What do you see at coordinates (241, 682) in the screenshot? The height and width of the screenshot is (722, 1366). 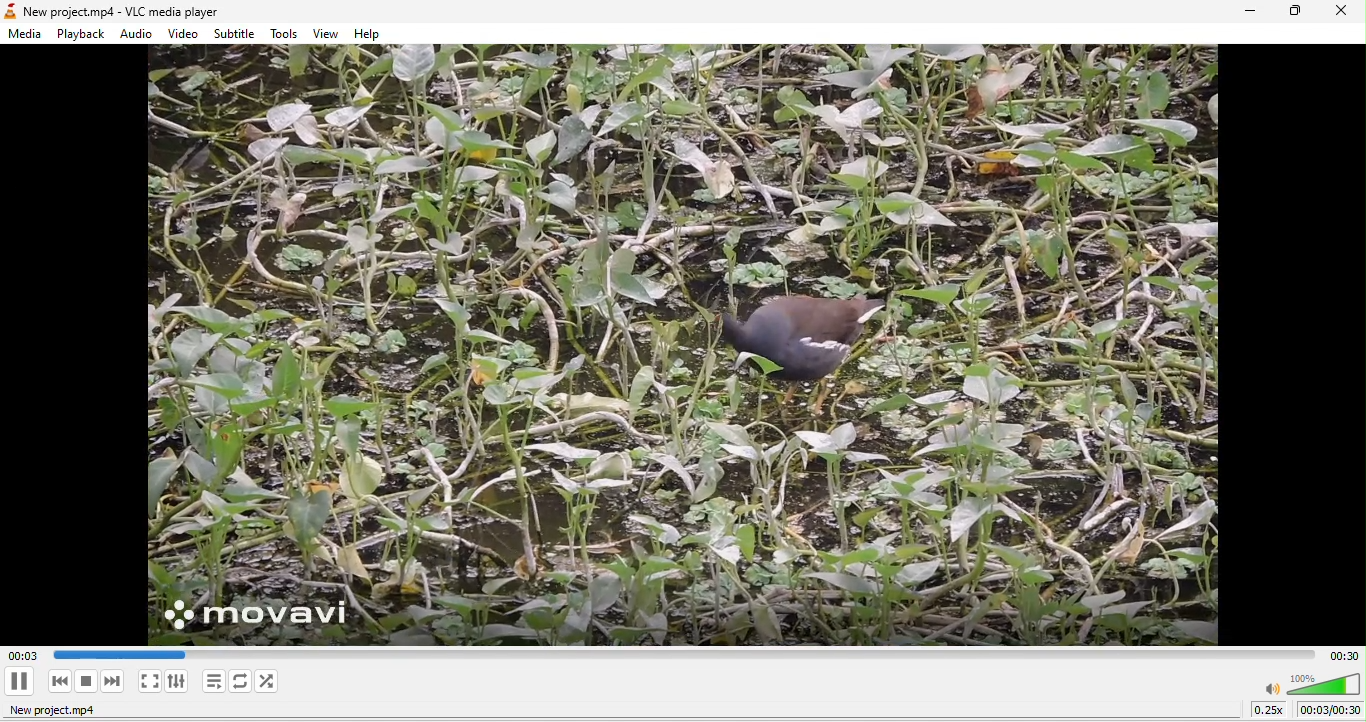 I see `click to toggle between loop all` at bounding box center [241, 682].